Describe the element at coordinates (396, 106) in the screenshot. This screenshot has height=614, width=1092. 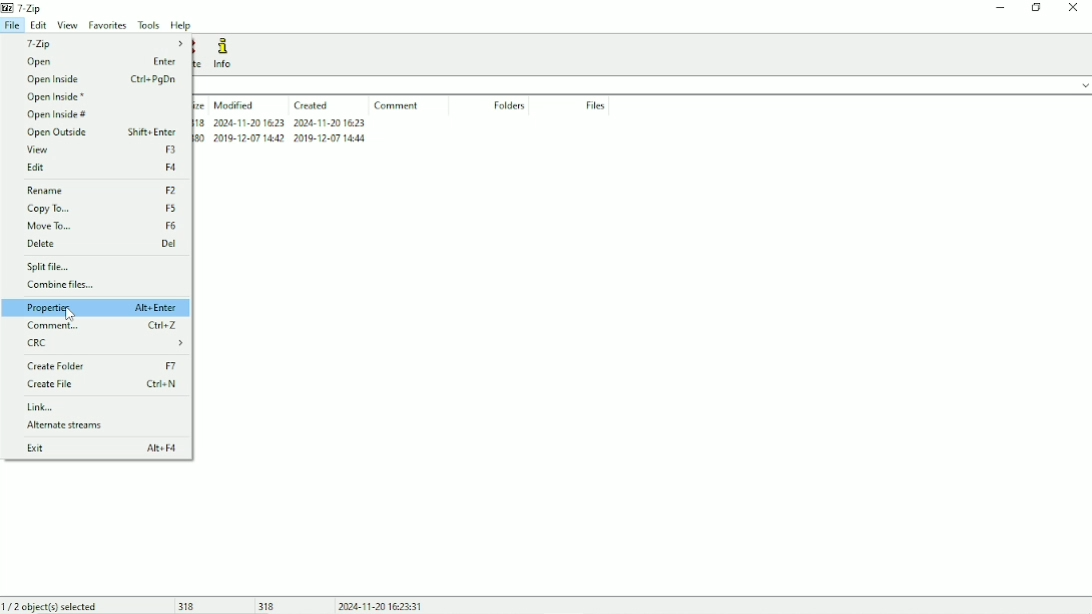
I see `Comment` at that location.